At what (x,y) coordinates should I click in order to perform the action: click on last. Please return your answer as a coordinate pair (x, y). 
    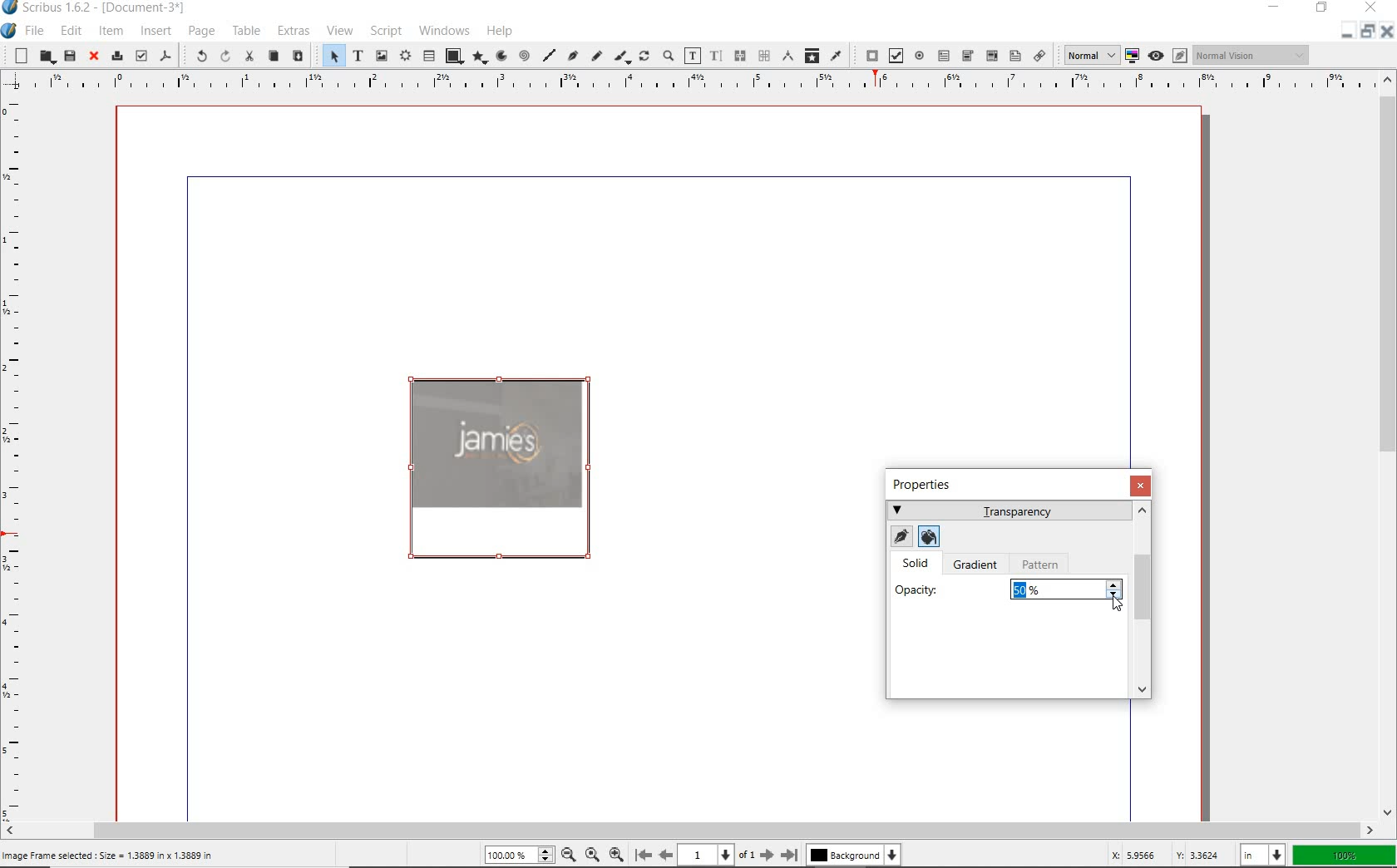
    Looking at the image, I should click on (790, 856).